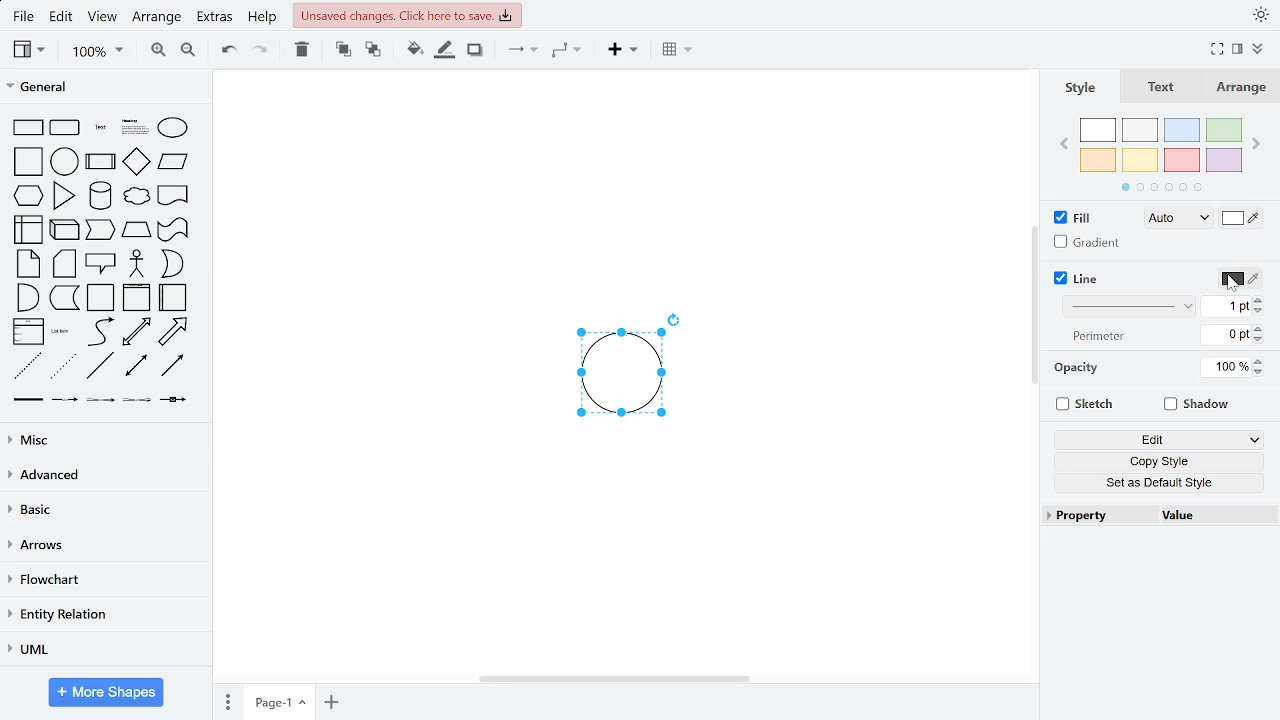  I want to click on sketch, so click(1090, 404).